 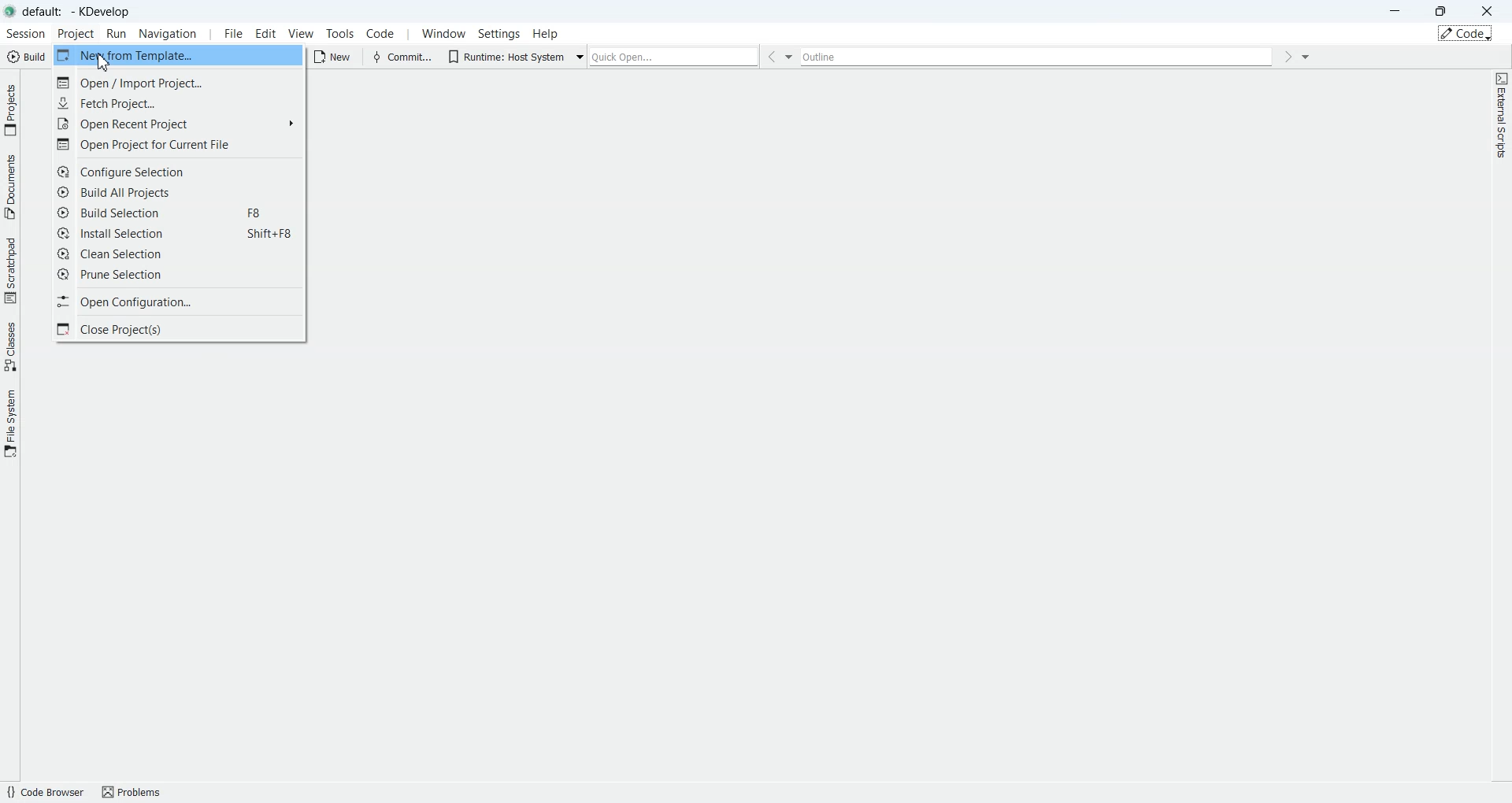 I want to click on Runtime: Host System, so click(x=504, y=55).